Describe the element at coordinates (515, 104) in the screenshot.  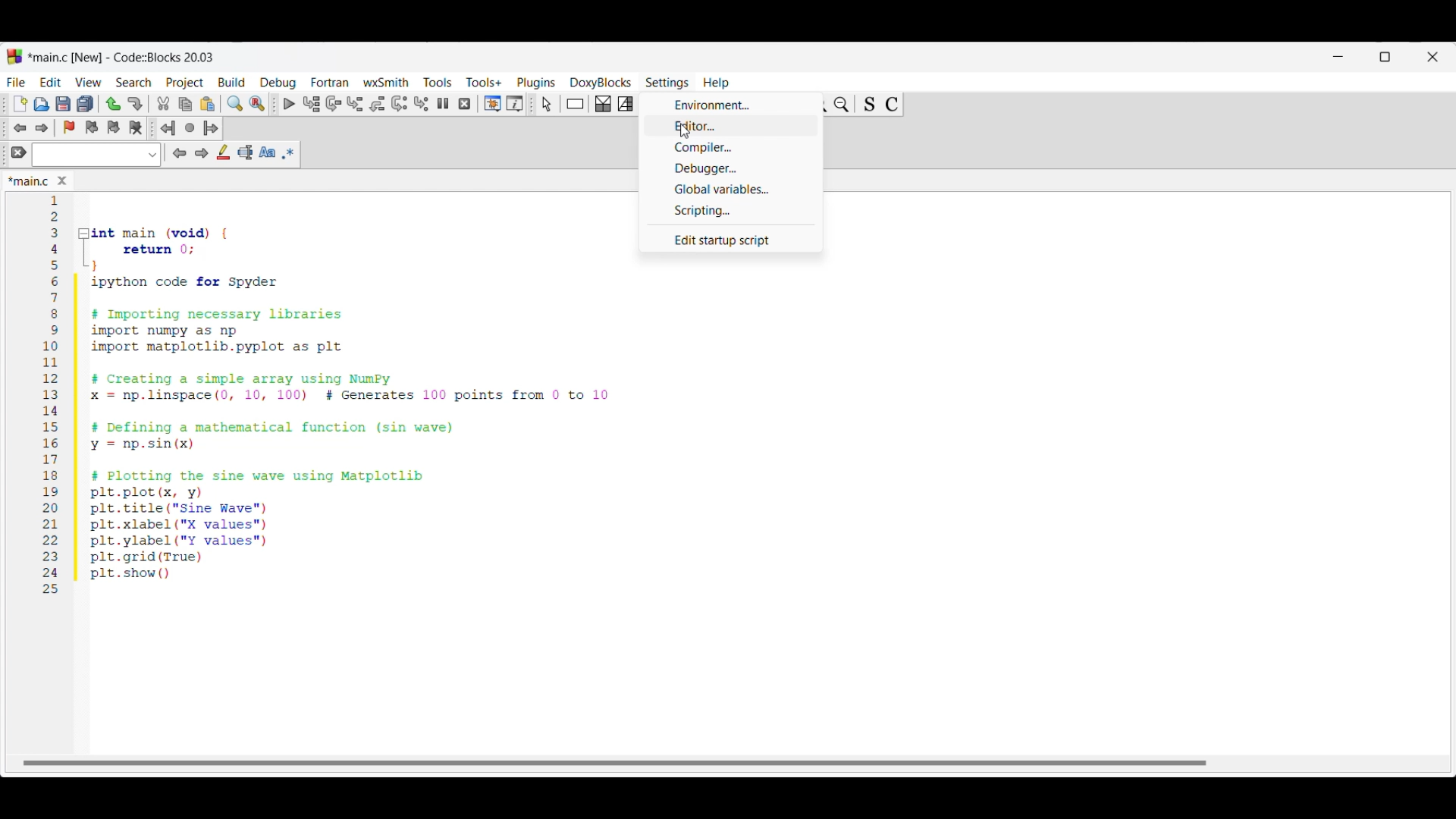
I see `Various info` at that location.